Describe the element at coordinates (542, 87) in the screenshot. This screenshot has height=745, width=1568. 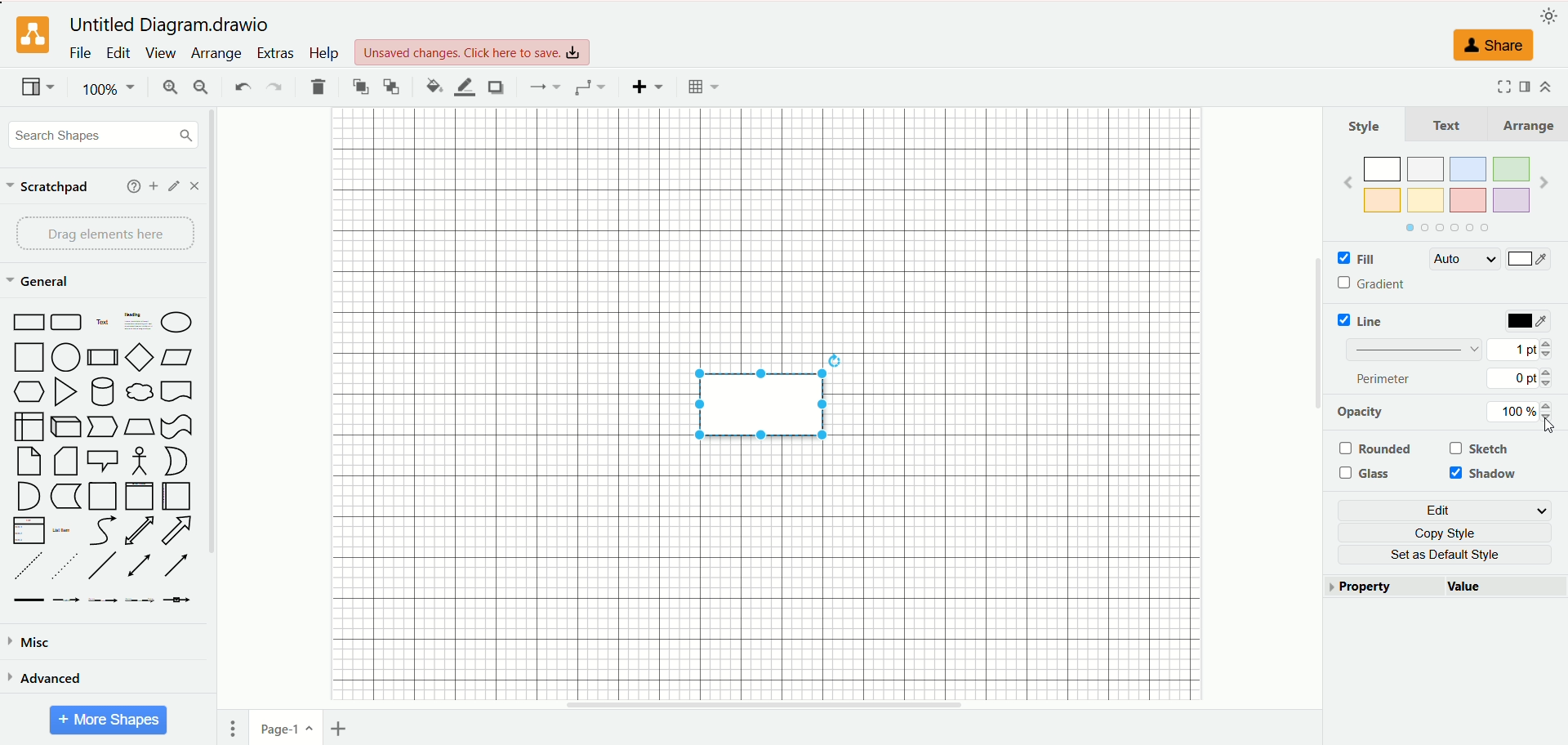
I see `connection` at that location.